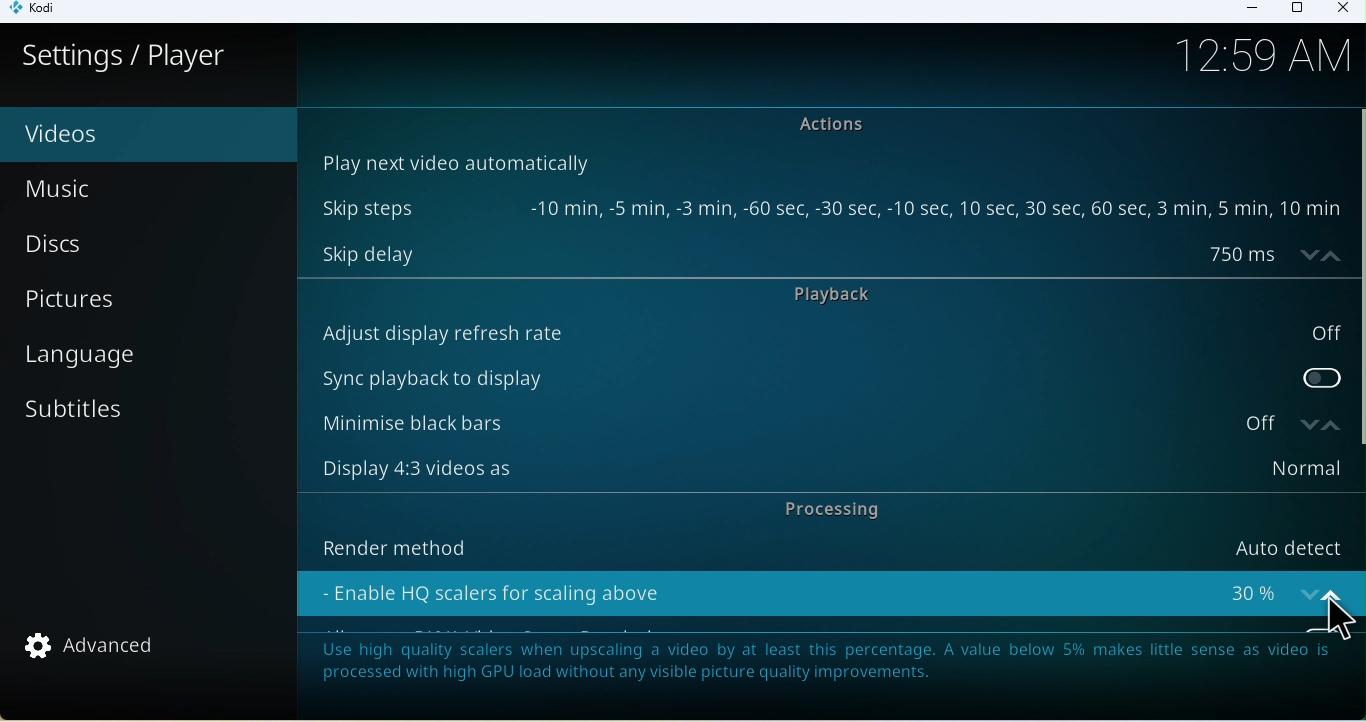 Image resolution: width=1366 pixels, height=722 pixels. What do you see at coordinates (840, 125) in the screenshot?
I see `actions` at bounding box center [840, 125].